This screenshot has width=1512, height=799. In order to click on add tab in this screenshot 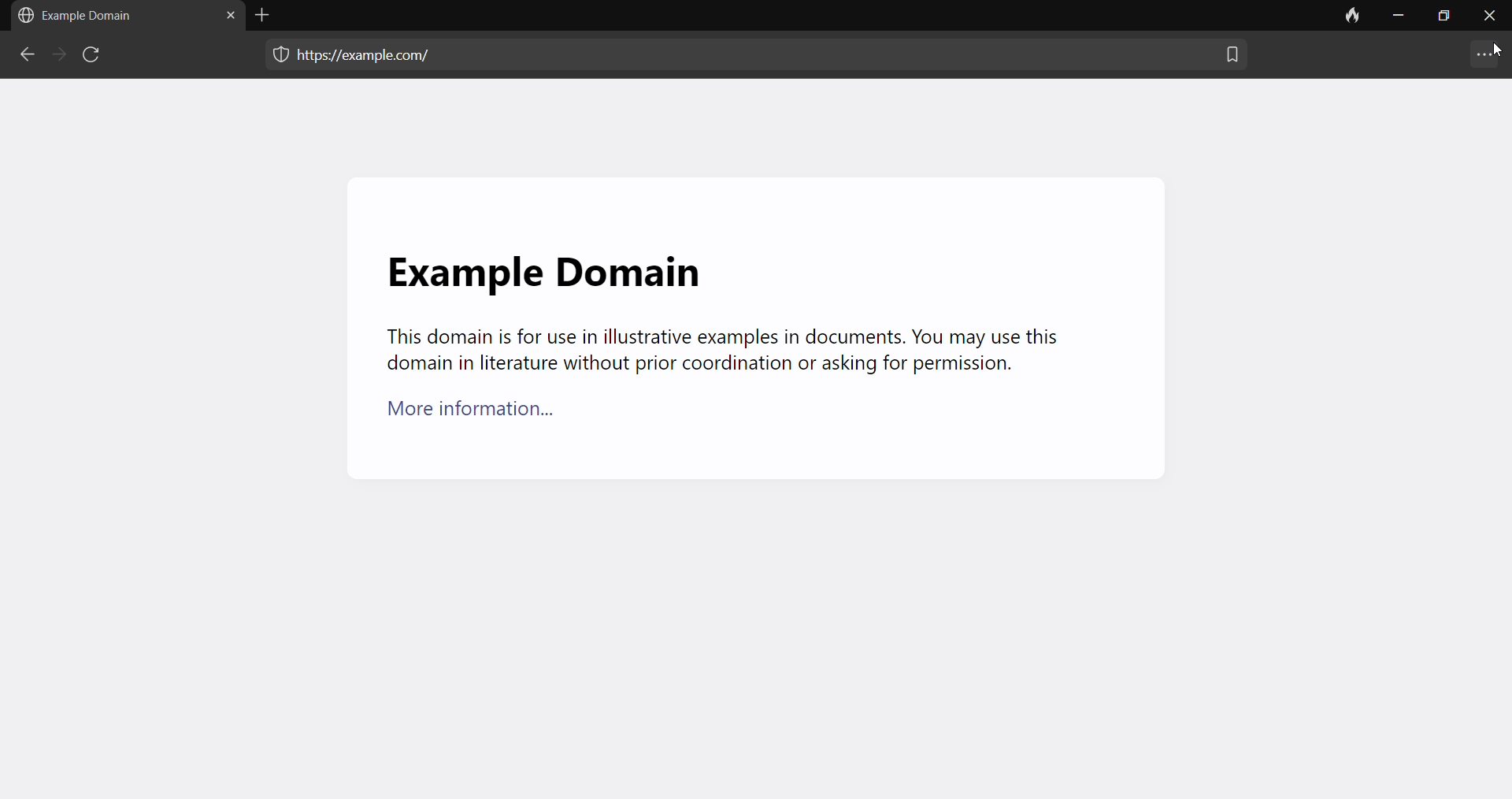, I will do `click(266, 15)`.